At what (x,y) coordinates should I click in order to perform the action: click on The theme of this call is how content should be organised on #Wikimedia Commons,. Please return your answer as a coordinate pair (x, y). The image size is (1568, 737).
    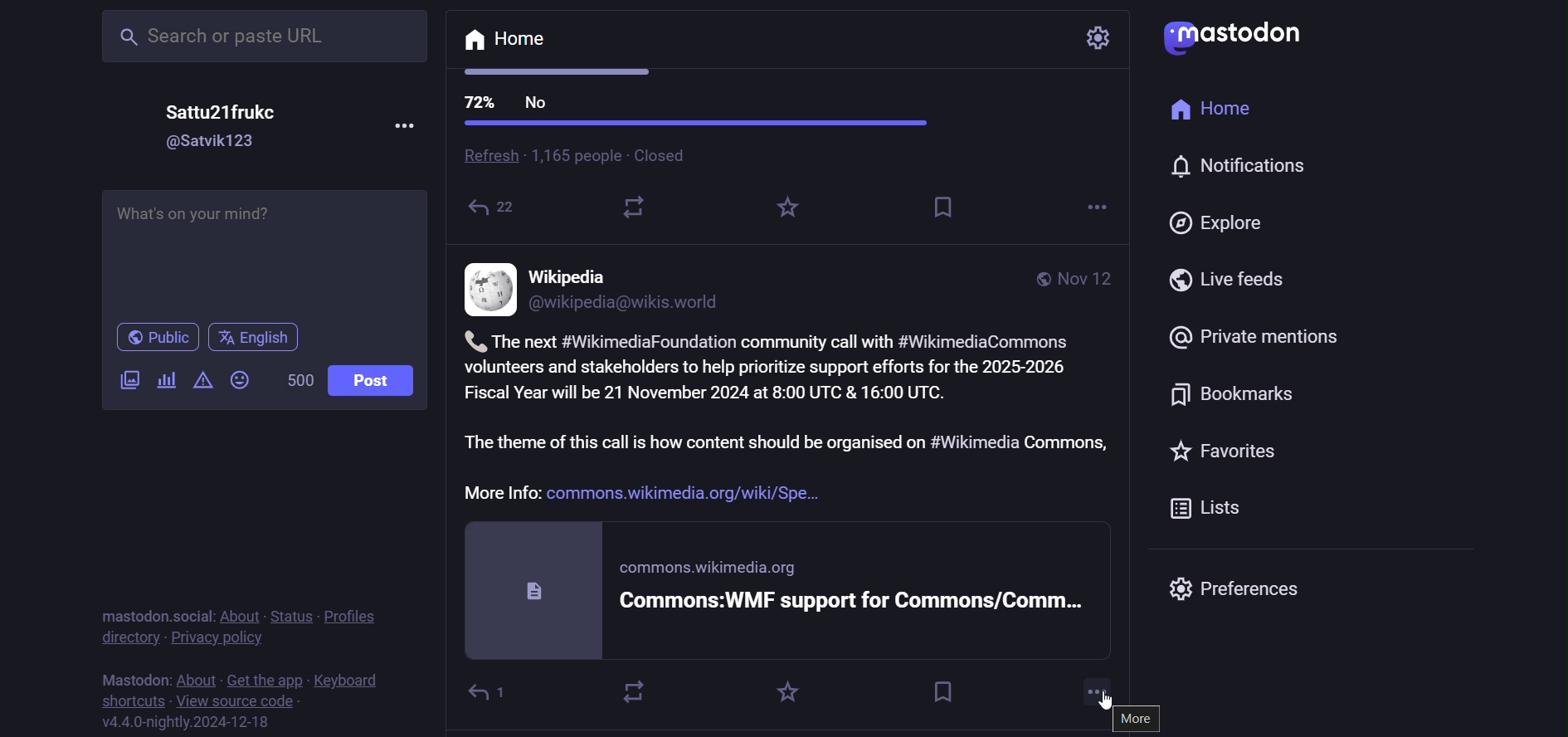
    Looking at the image, I should click on (794, 442).